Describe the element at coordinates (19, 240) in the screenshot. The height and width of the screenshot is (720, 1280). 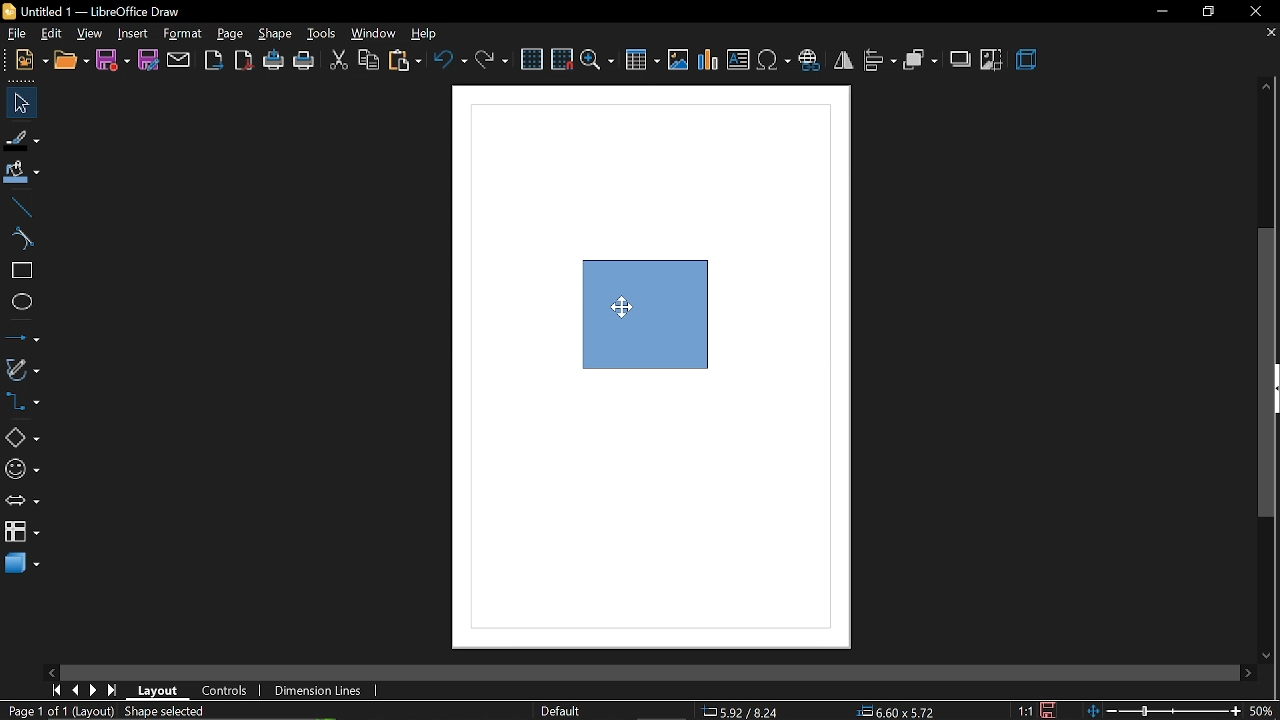
I see `curve` at that location.